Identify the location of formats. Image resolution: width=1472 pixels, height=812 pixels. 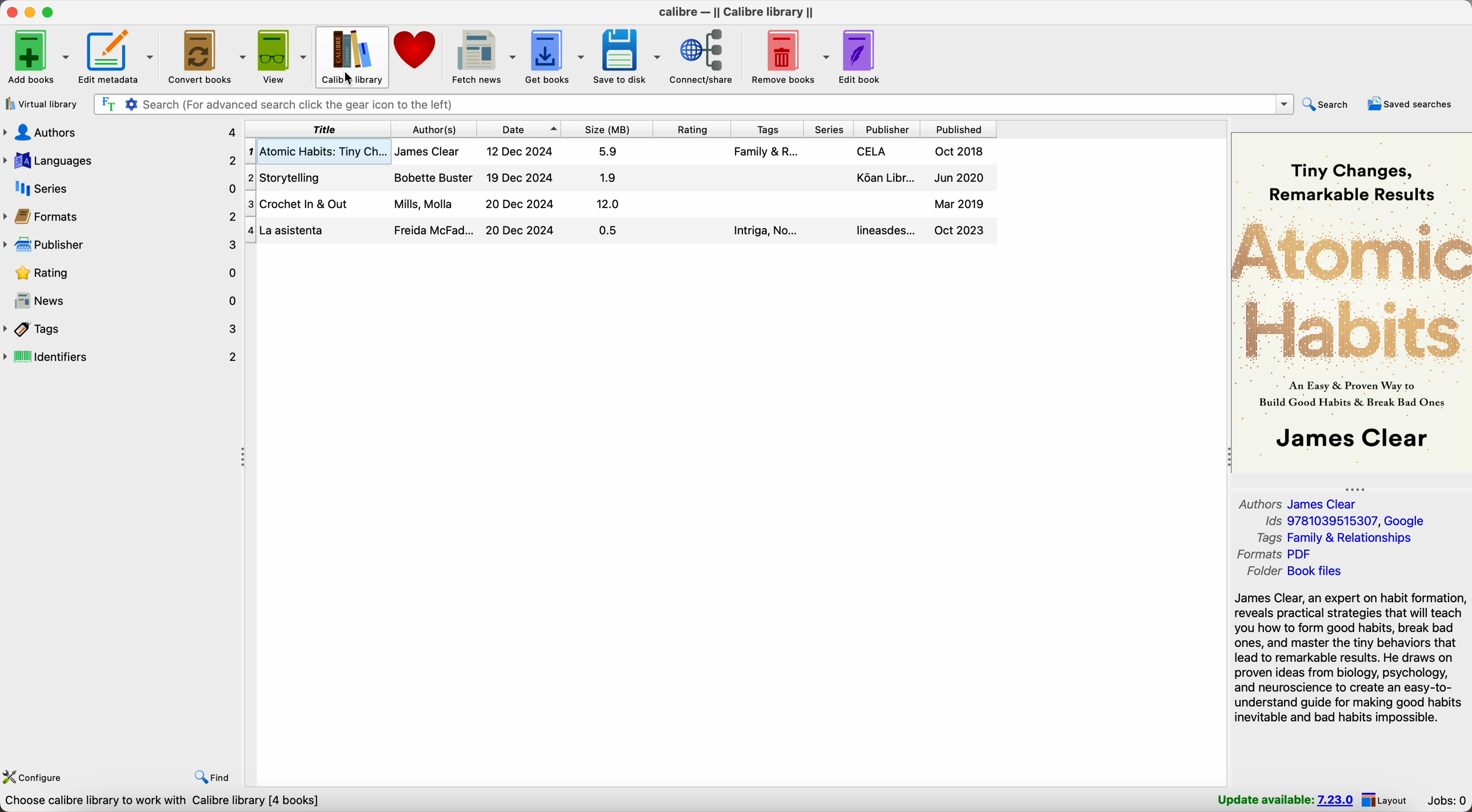
(122, 216).